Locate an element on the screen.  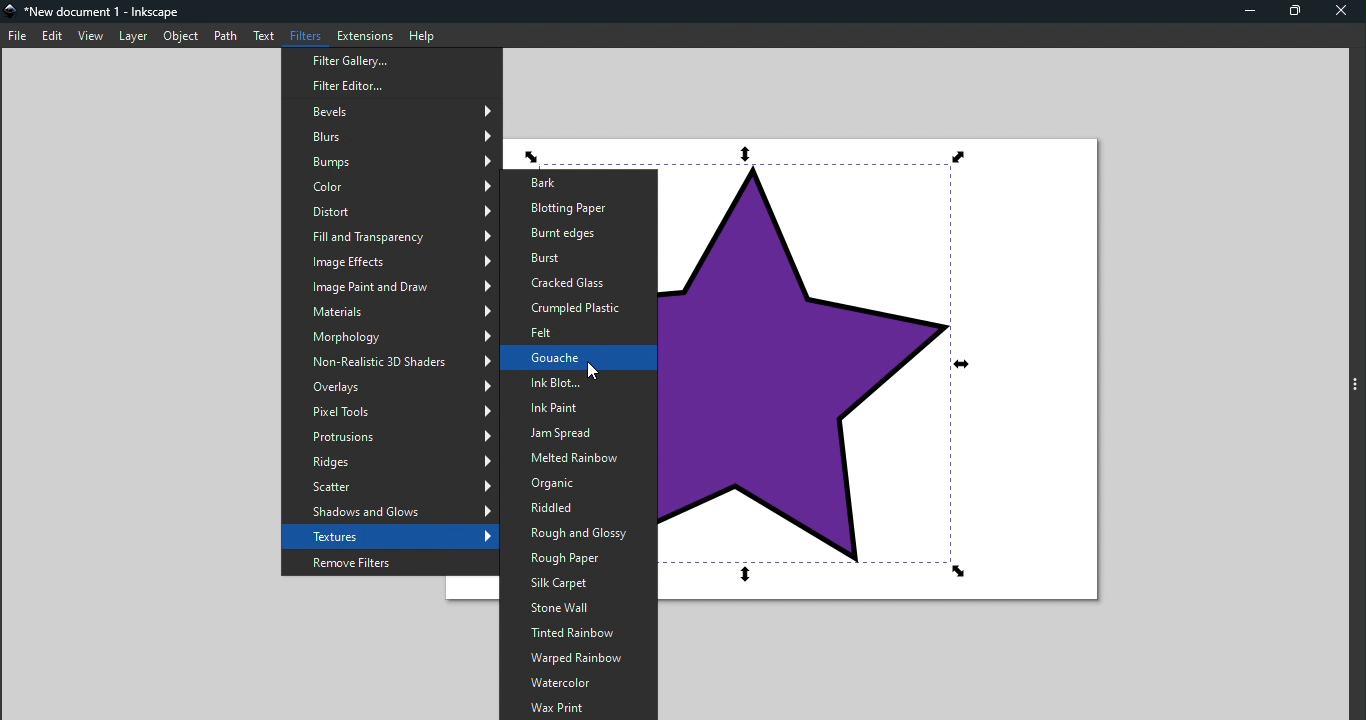
Canvas is located at coordinates (888, 380).